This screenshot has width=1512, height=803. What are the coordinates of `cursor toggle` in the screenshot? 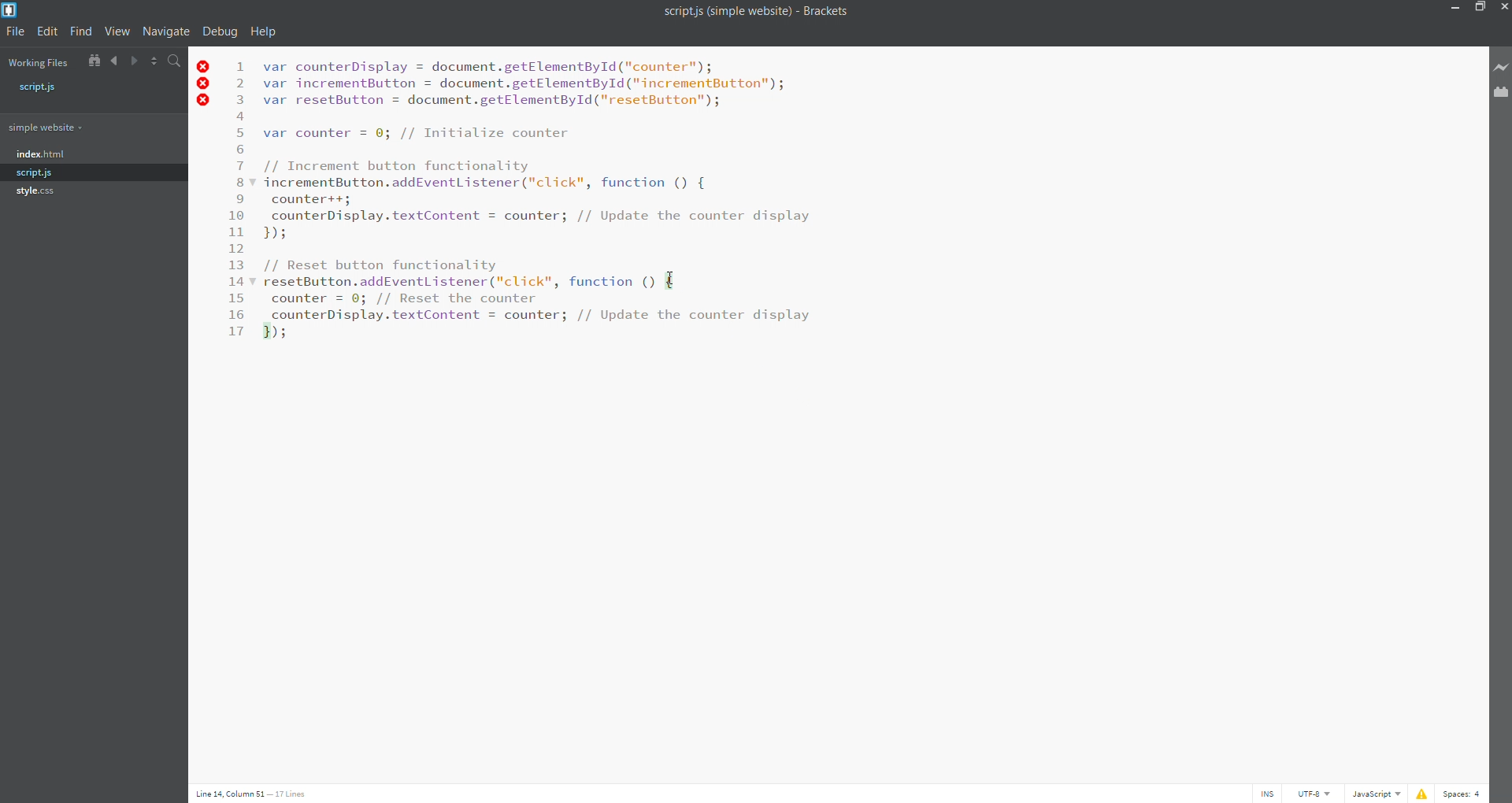 It's located at (1269, 794).